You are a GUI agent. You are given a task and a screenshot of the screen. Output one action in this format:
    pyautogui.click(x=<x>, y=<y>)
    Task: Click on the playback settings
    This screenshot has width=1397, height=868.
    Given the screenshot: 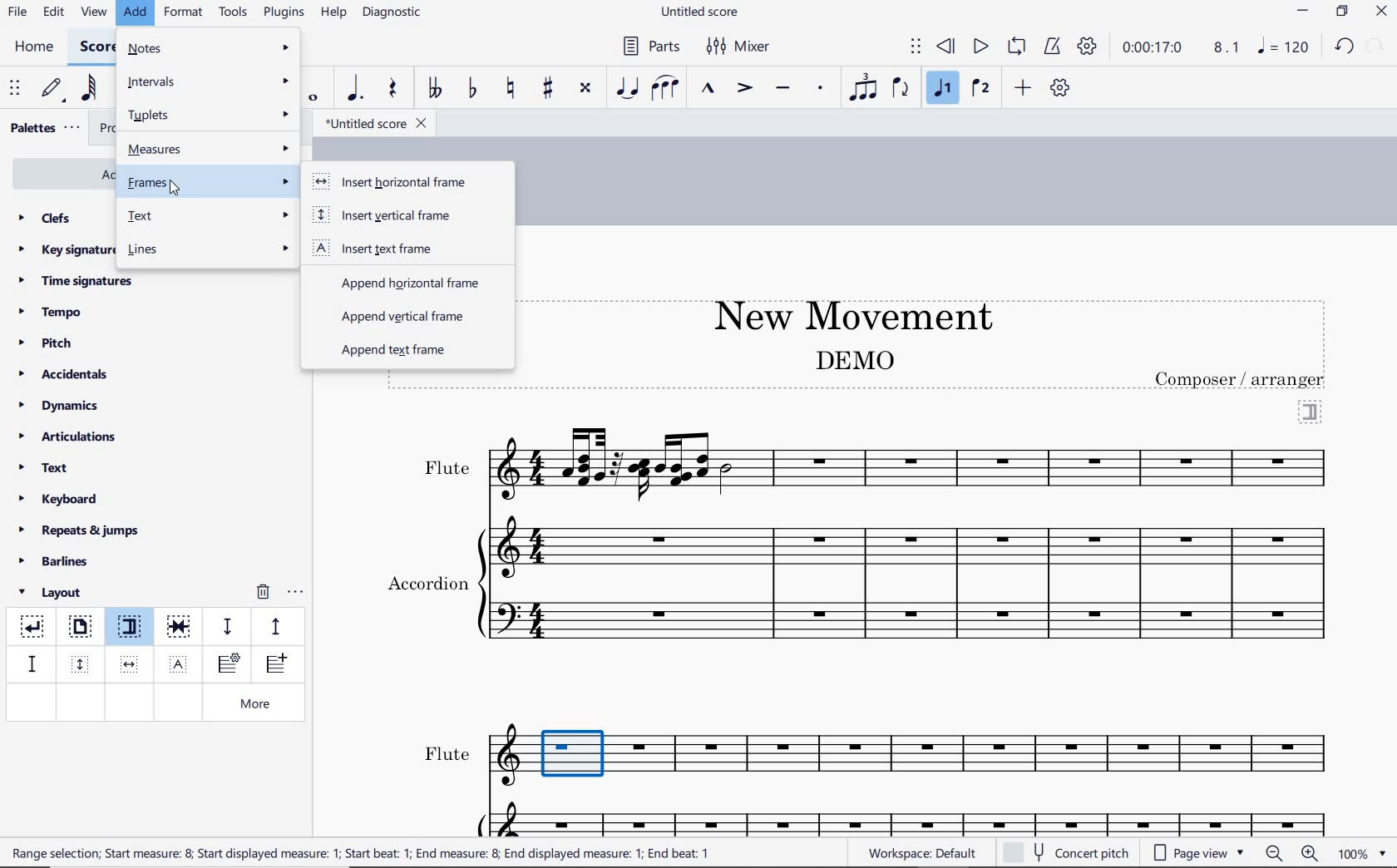 What is the action you would take?
    pyautogui.click(x=1089, y=46)
    